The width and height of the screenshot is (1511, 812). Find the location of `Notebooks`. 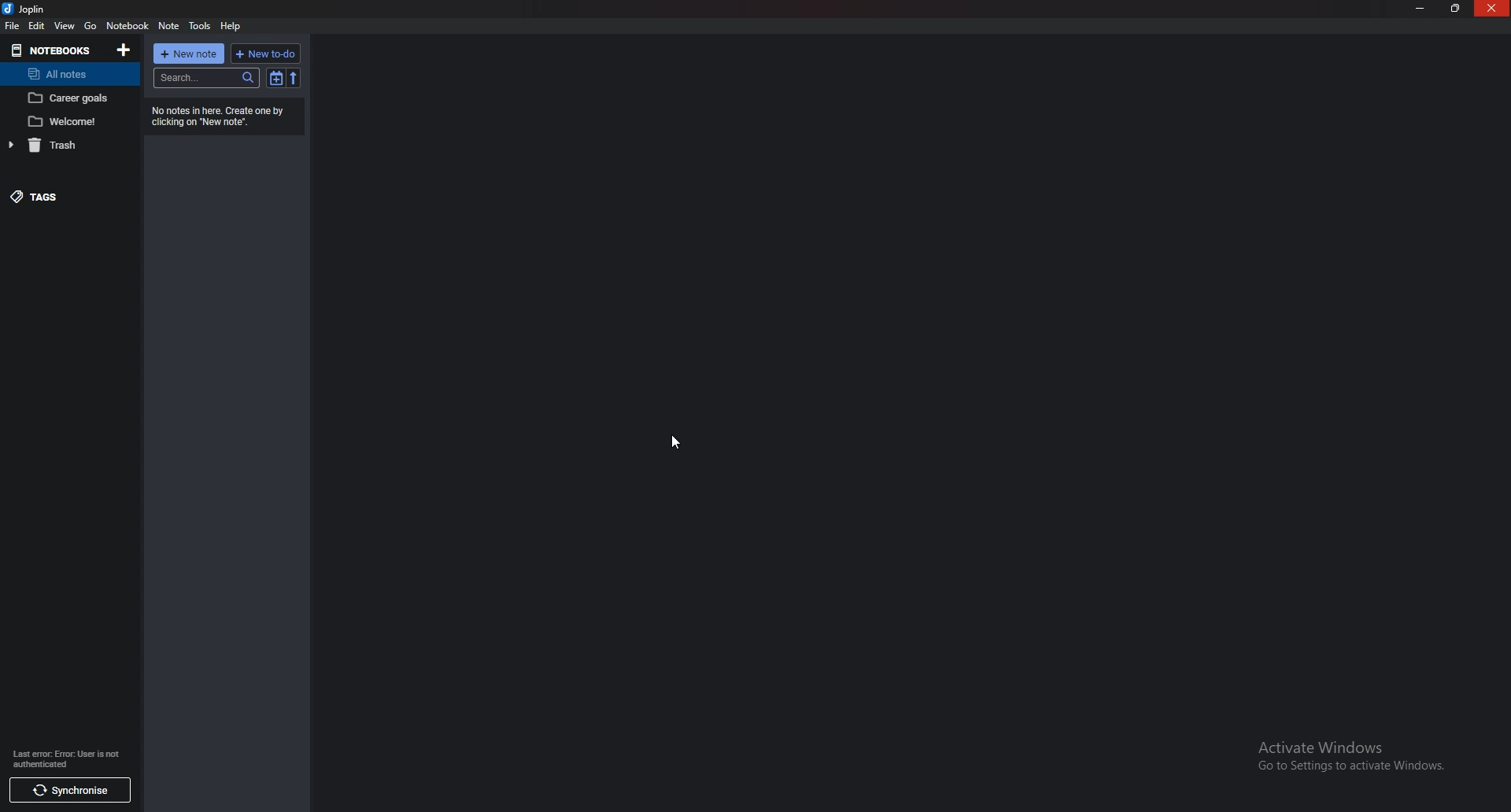

Notebooks is located at coordinates (55, 50).